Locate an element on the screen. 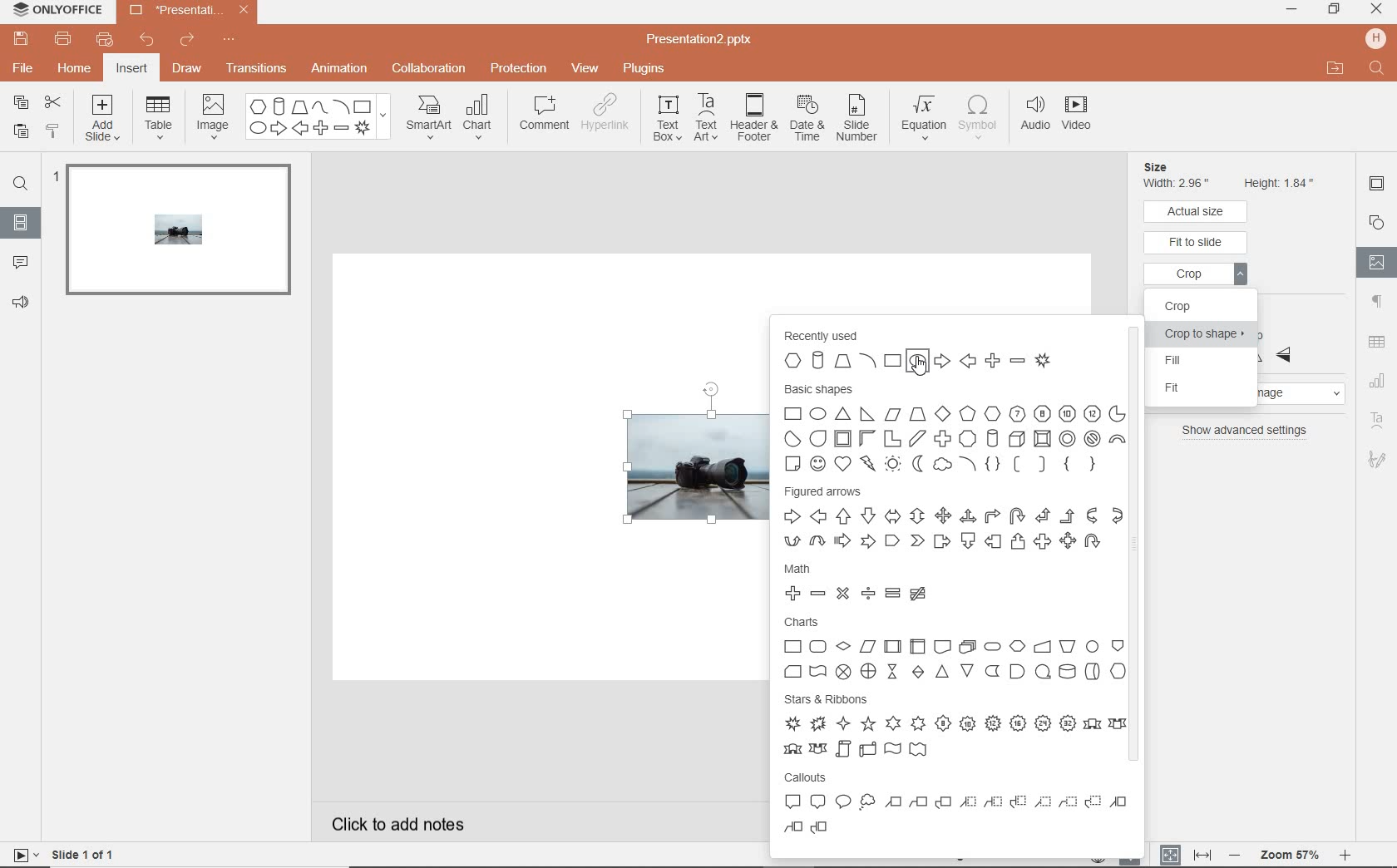 The image size is (1397, 868). Presentation2.pptx is located at coordinates (714, 37).